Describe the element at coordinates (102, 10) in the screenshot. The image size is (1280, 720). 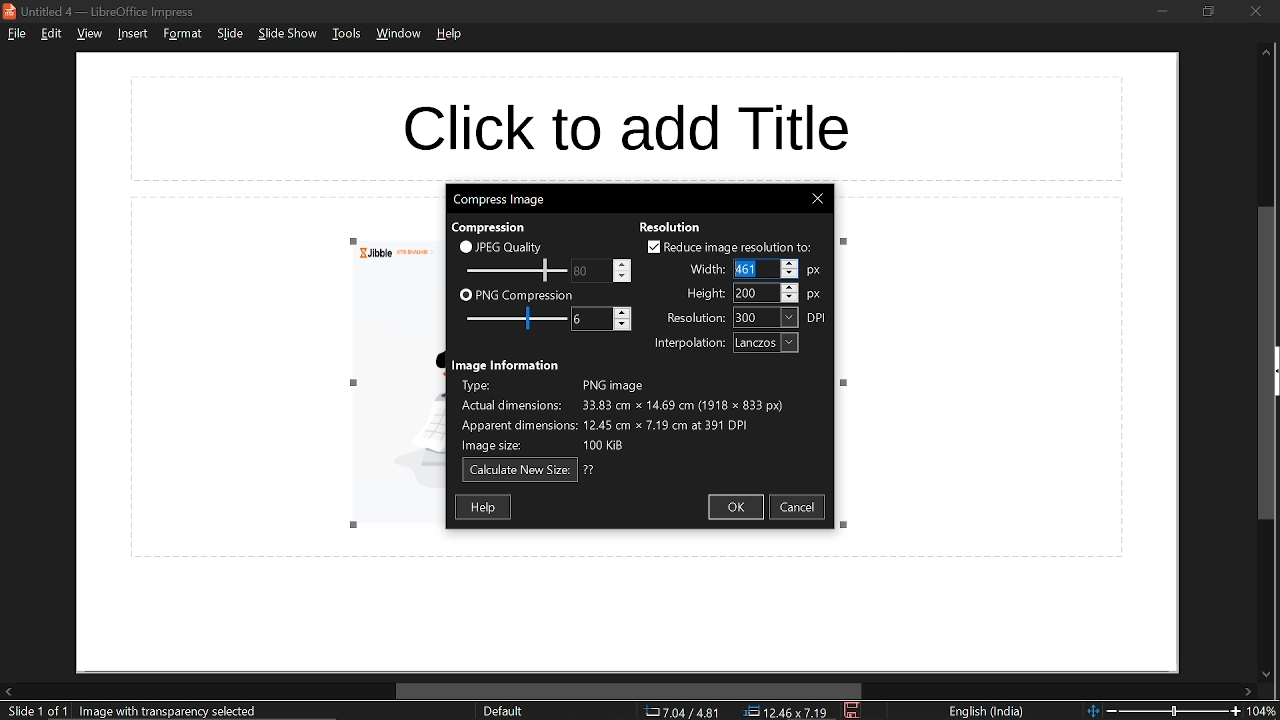
I see `current window` at that location.